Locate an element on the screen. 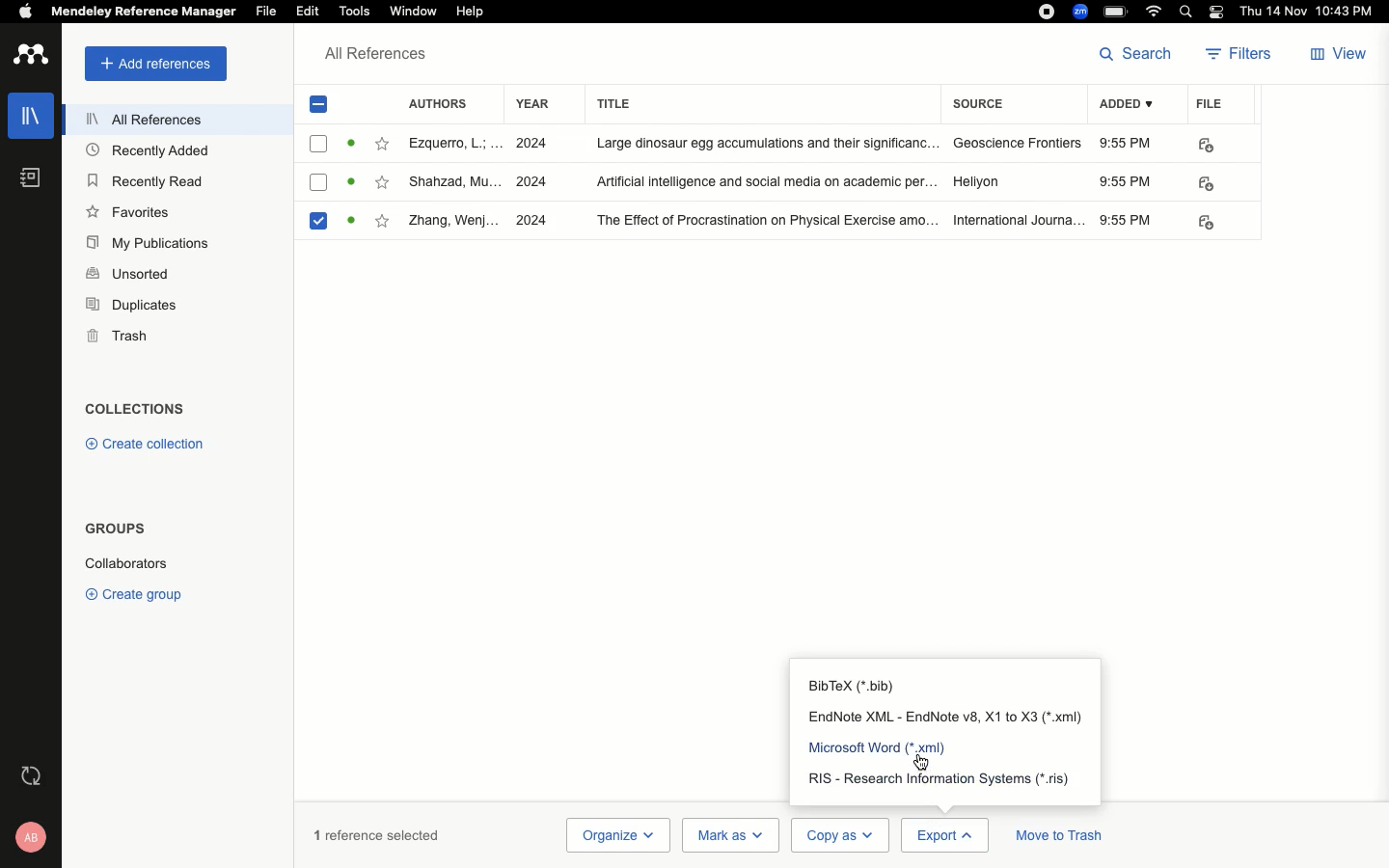 The height and width of the screenshot is (868, 1389). checkbox is located at coordinates (318, 184).